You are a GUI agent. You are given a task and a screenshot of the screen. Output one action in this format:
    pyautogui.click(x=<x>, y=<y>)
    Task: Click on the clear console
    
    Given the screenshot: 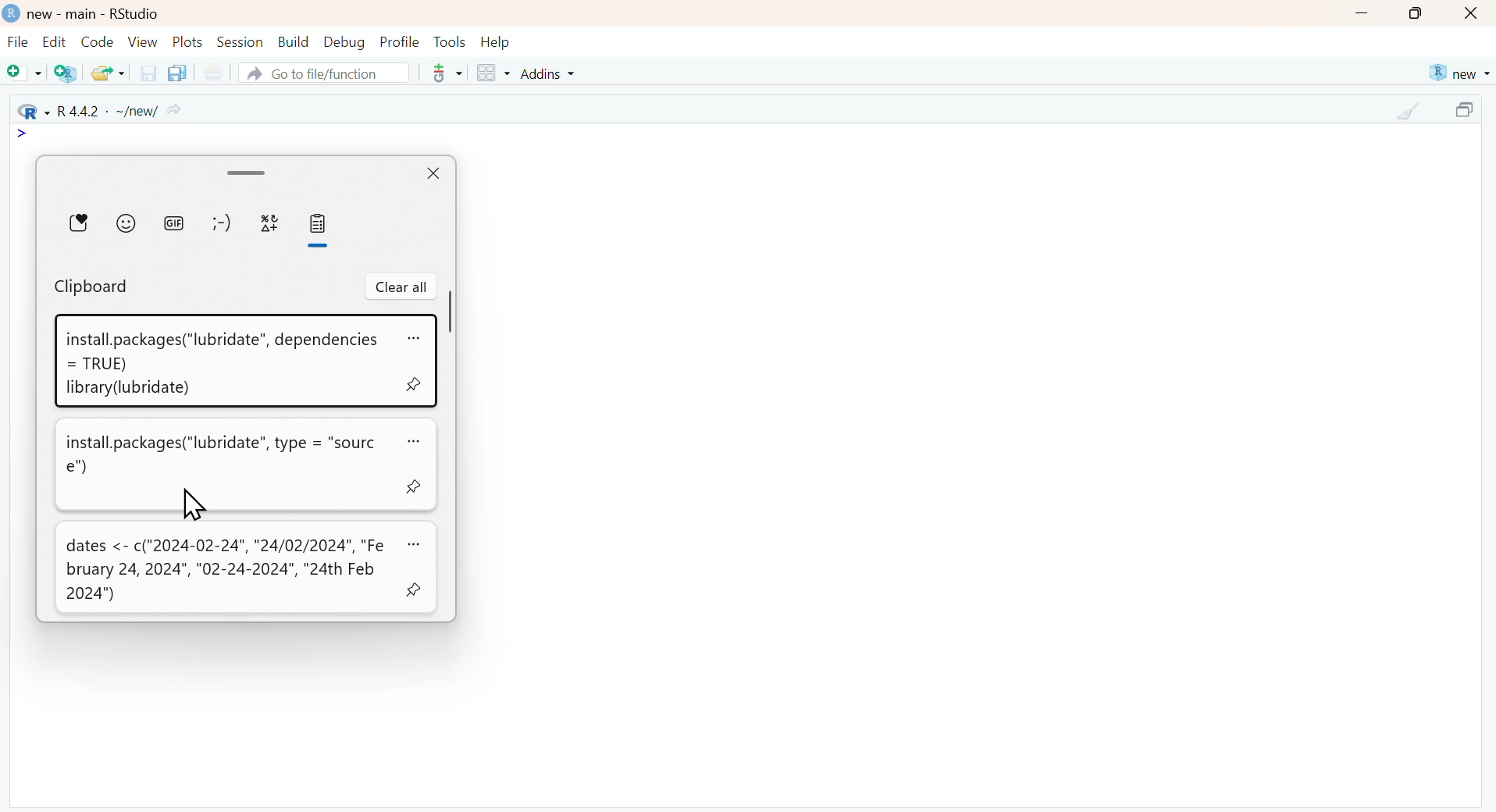 What is the action you would take?
    pyautogui.click(x=1410, y=112)
    